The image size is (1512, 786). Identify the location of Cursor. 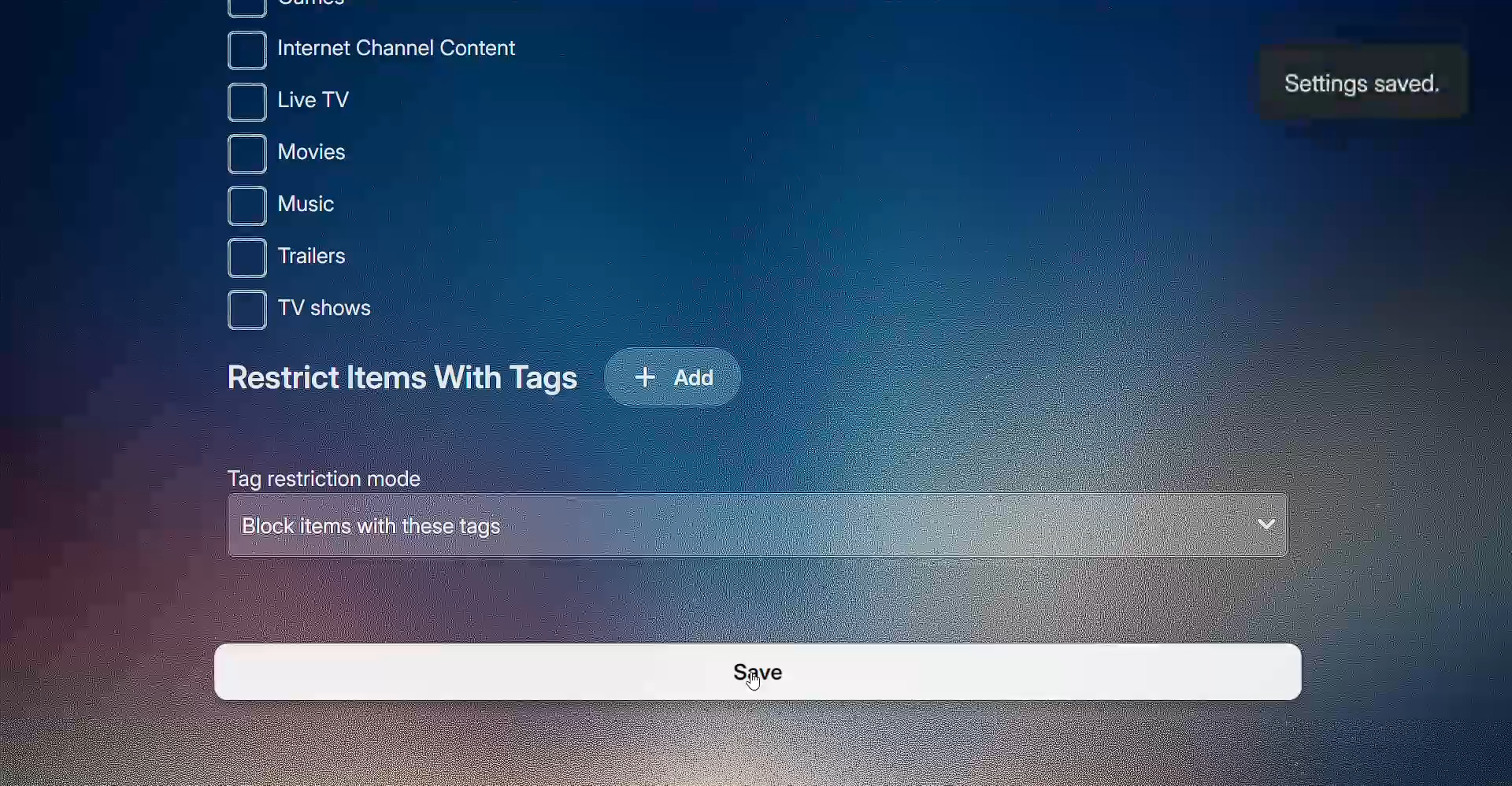
(758, 681).